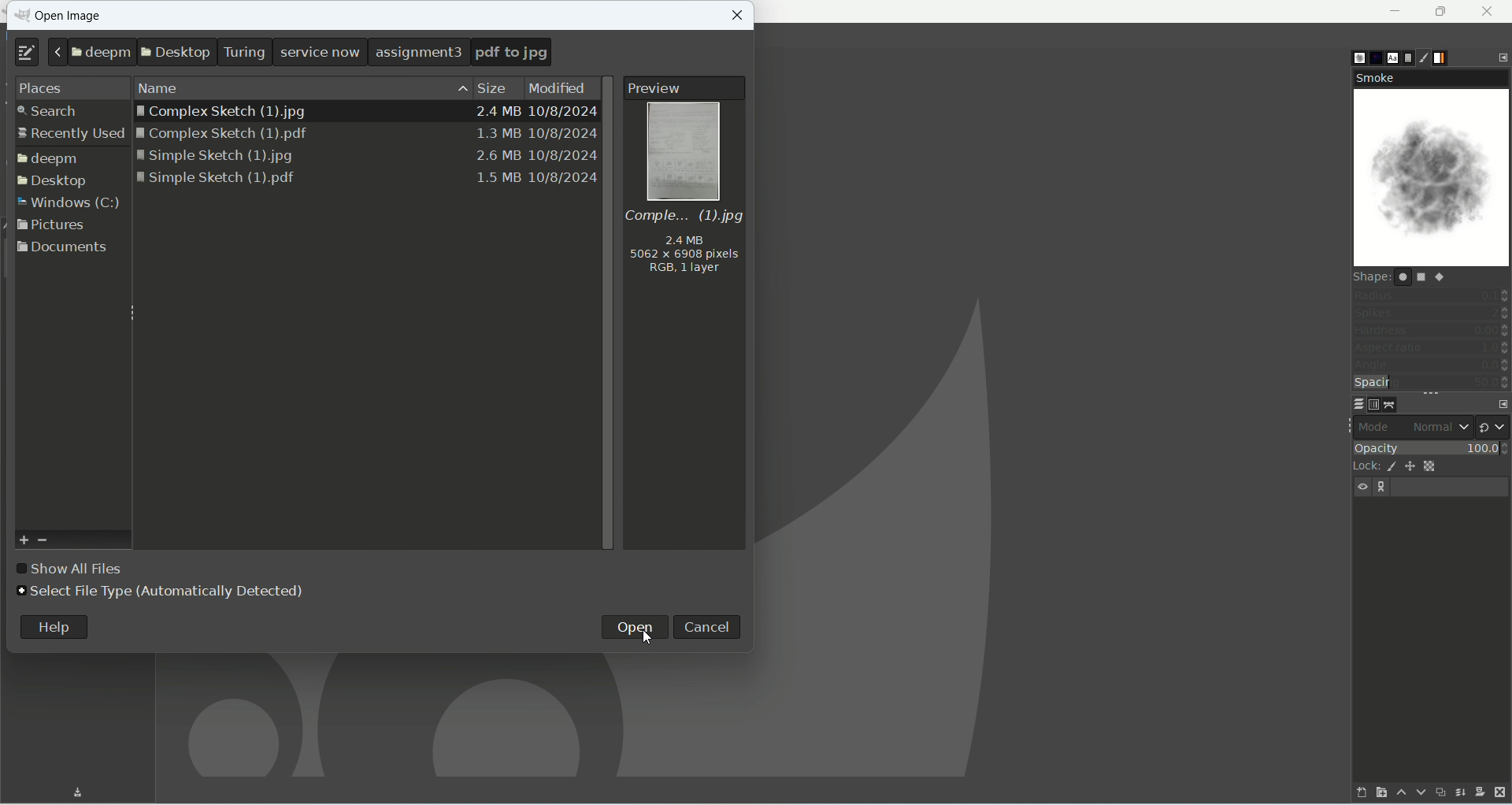 This screenshot has width=1512, height=805. What do you see at coordinates (1393, 57) in the screenshot?
I see `fonts` at bounding box center [1393, 57].